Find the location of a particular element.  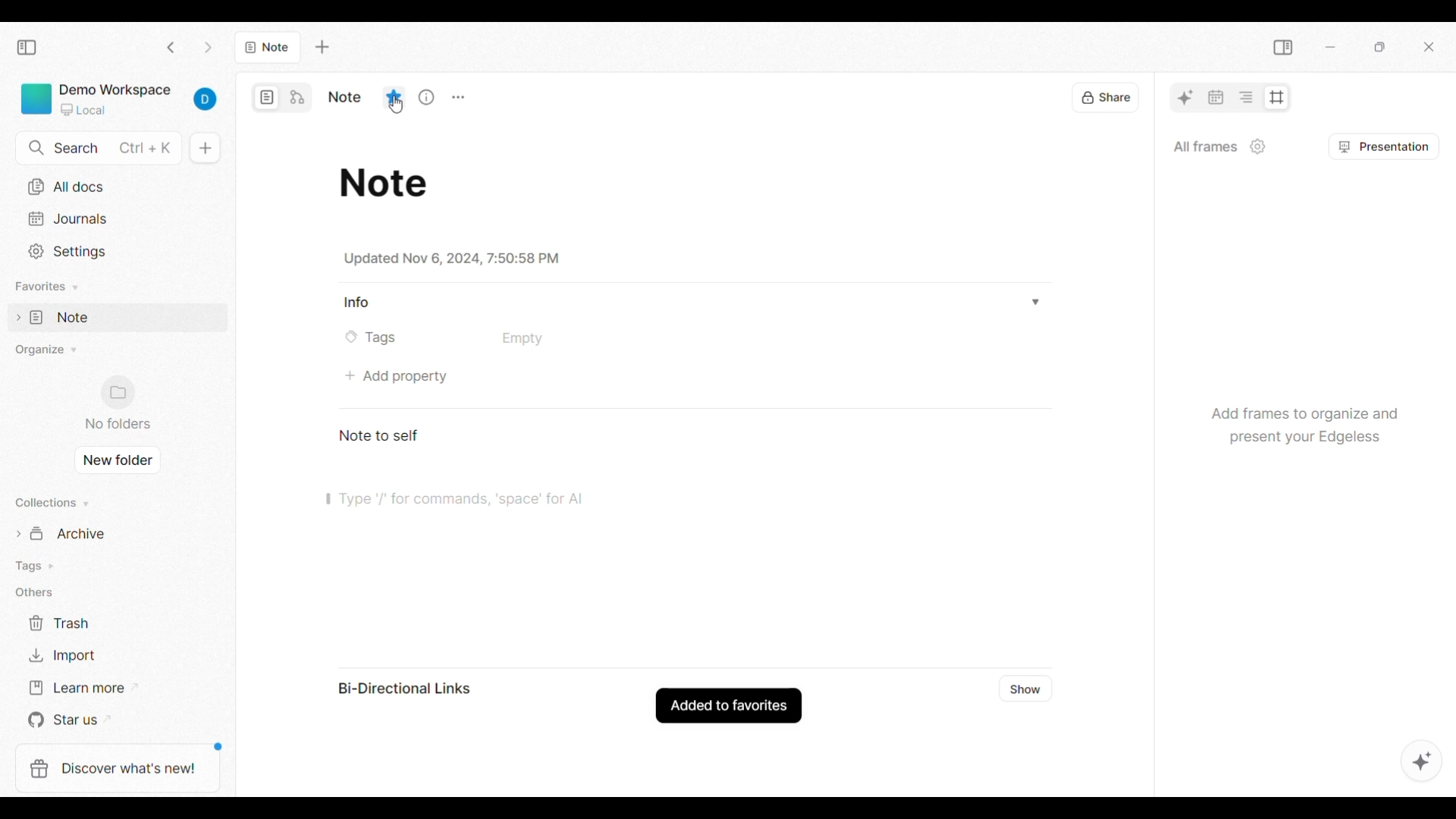

Trash folder is located at coordinates (91, 623).